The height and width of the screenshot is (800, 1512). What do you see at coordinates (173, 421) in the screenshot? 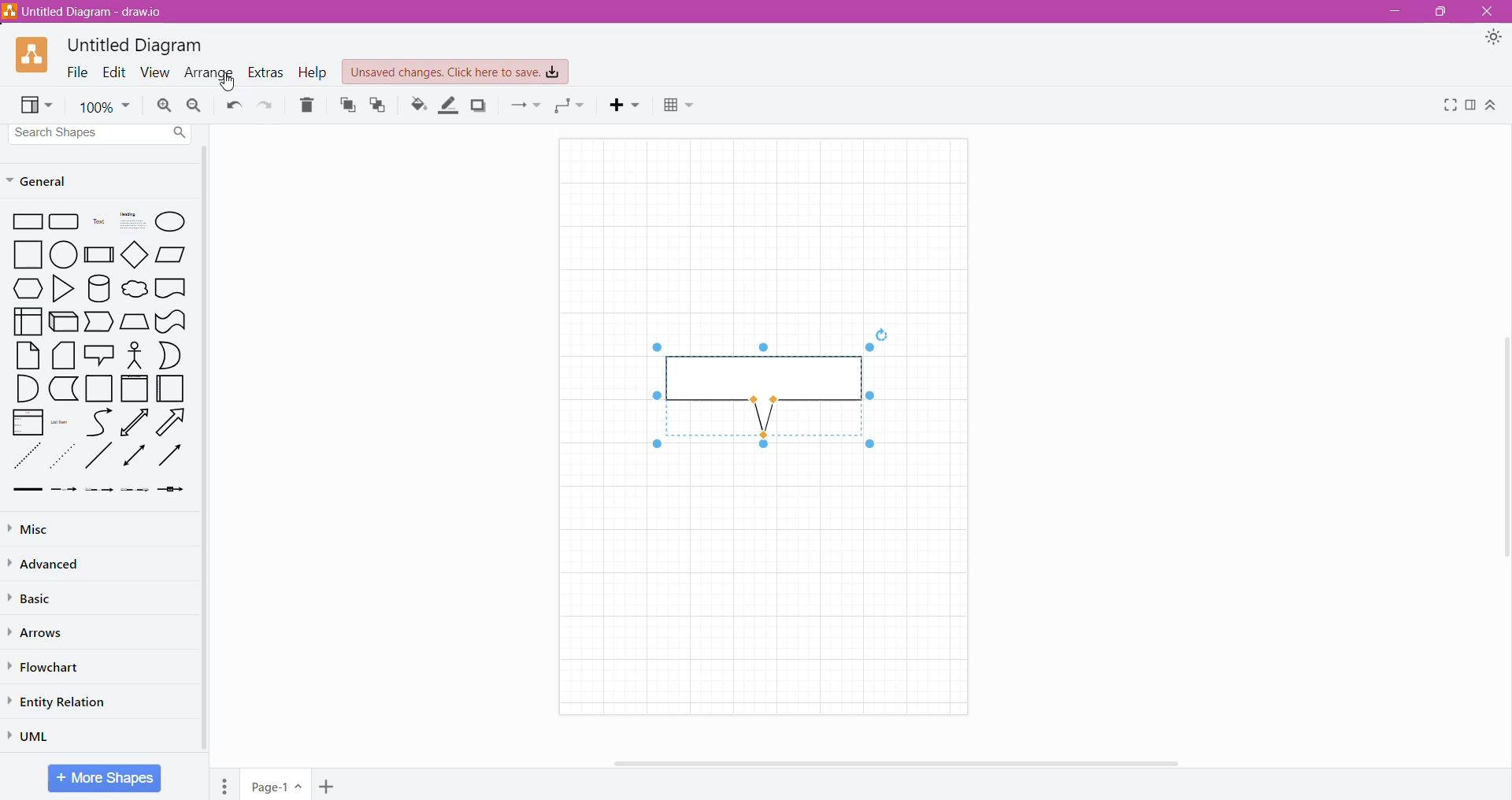
I see `Right Diagonal Arrow` at bounding box center [173, 421].